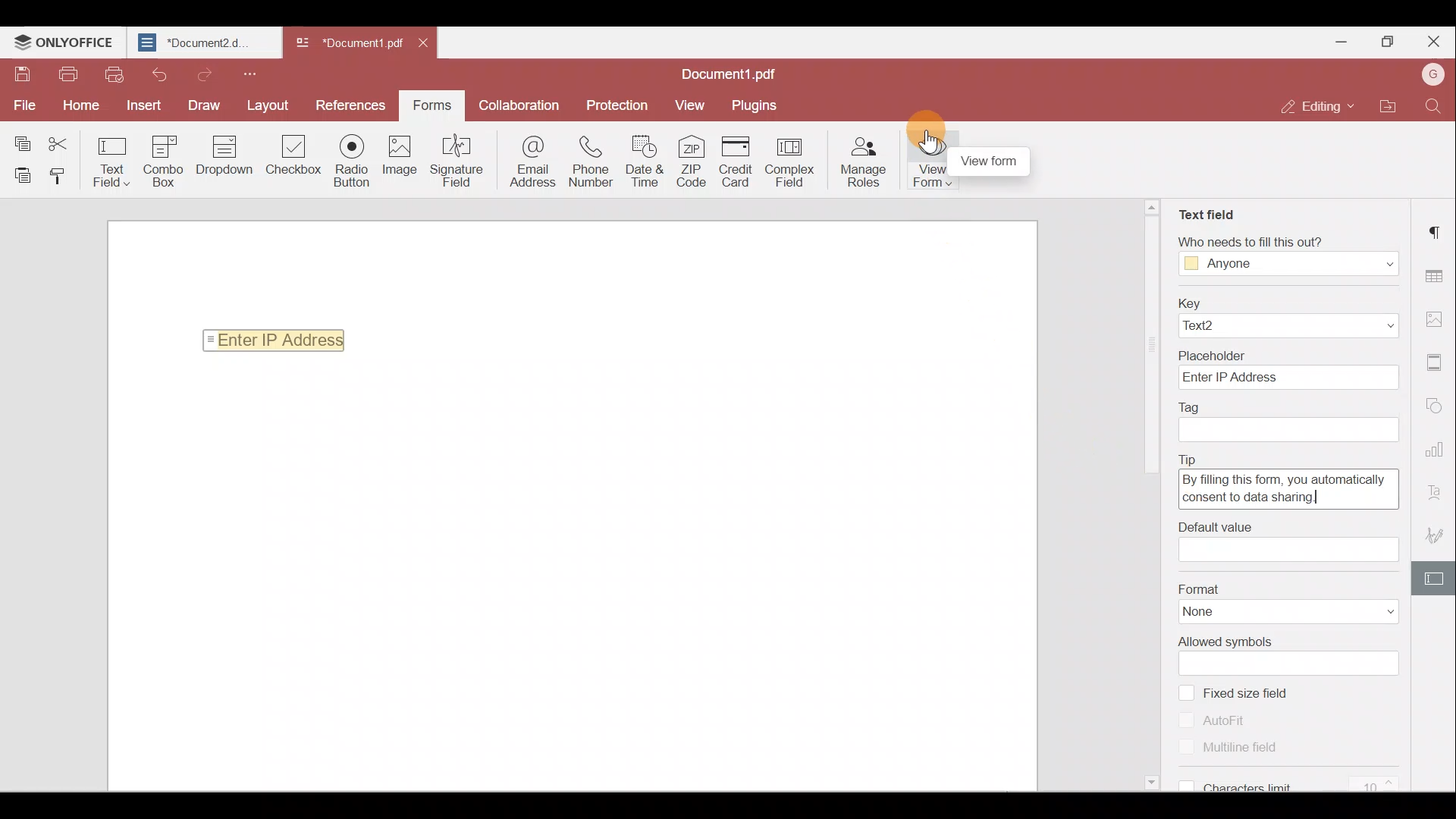 The width and height of the screenshot is (1456, 819). I want to click on Open file location, so click(1383, 105).